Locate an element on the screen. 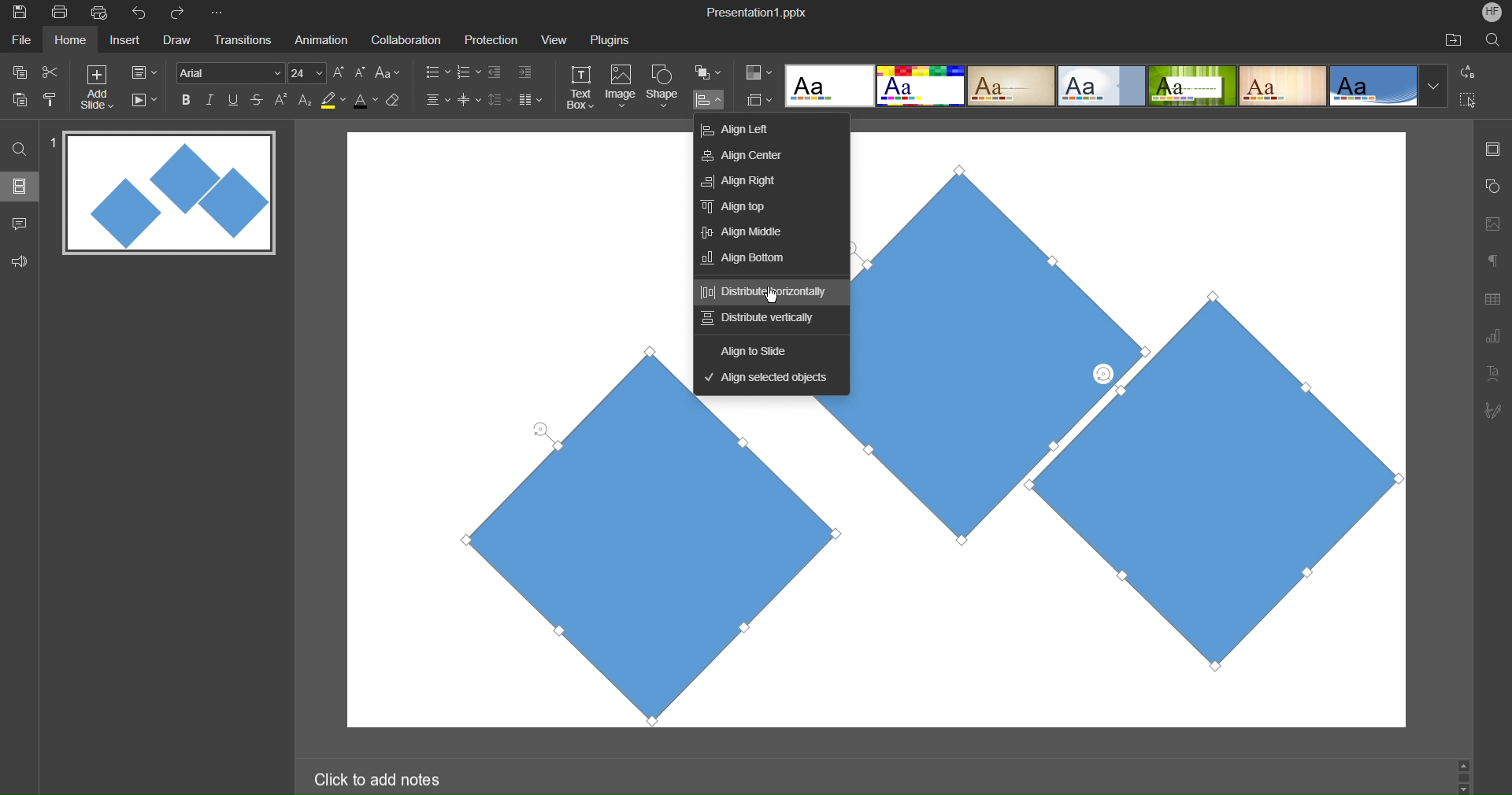  File is located at coordinates (24, 39).